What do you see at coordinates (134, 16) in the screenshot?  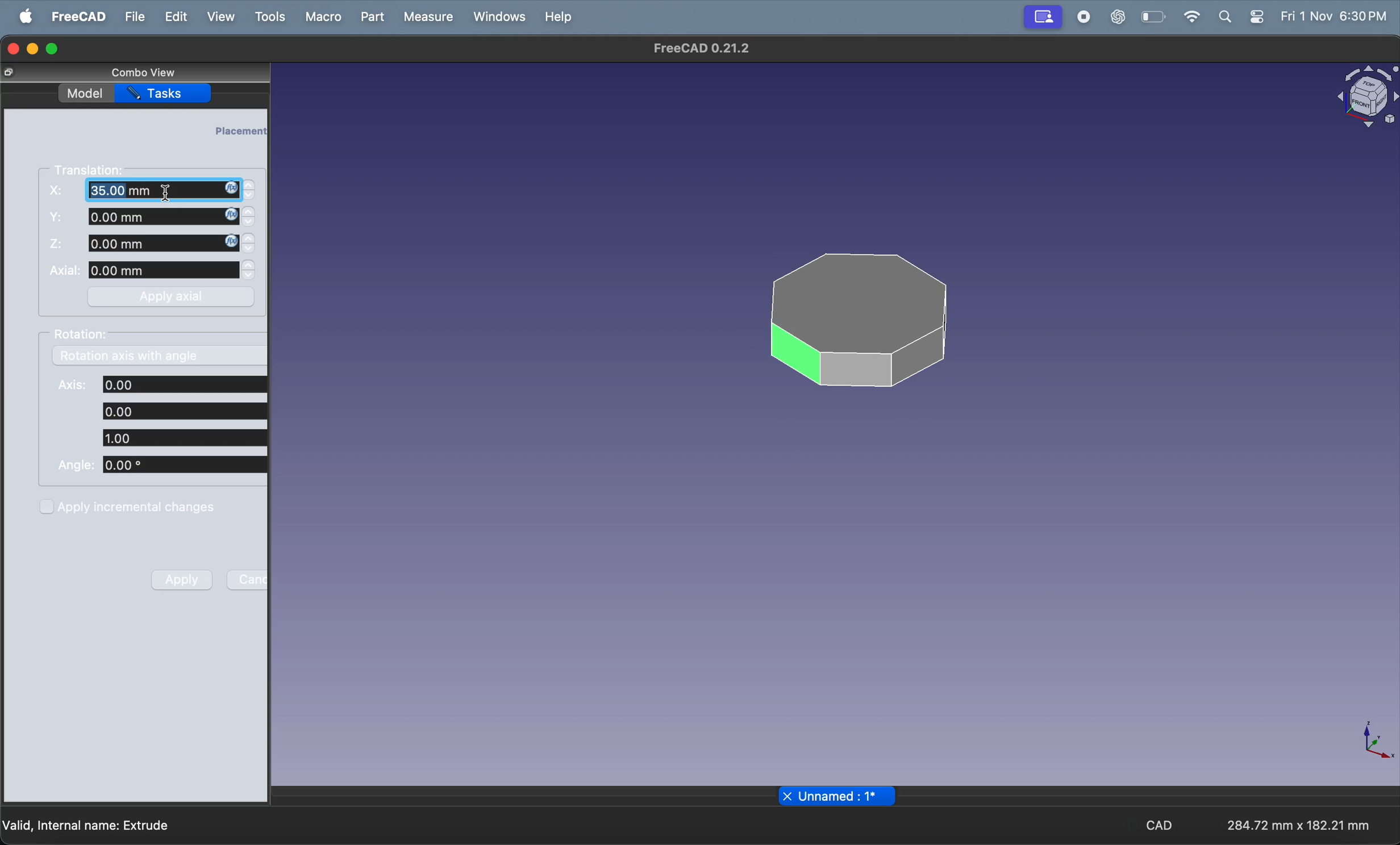 I see `file` at bounding box center [134, 16].